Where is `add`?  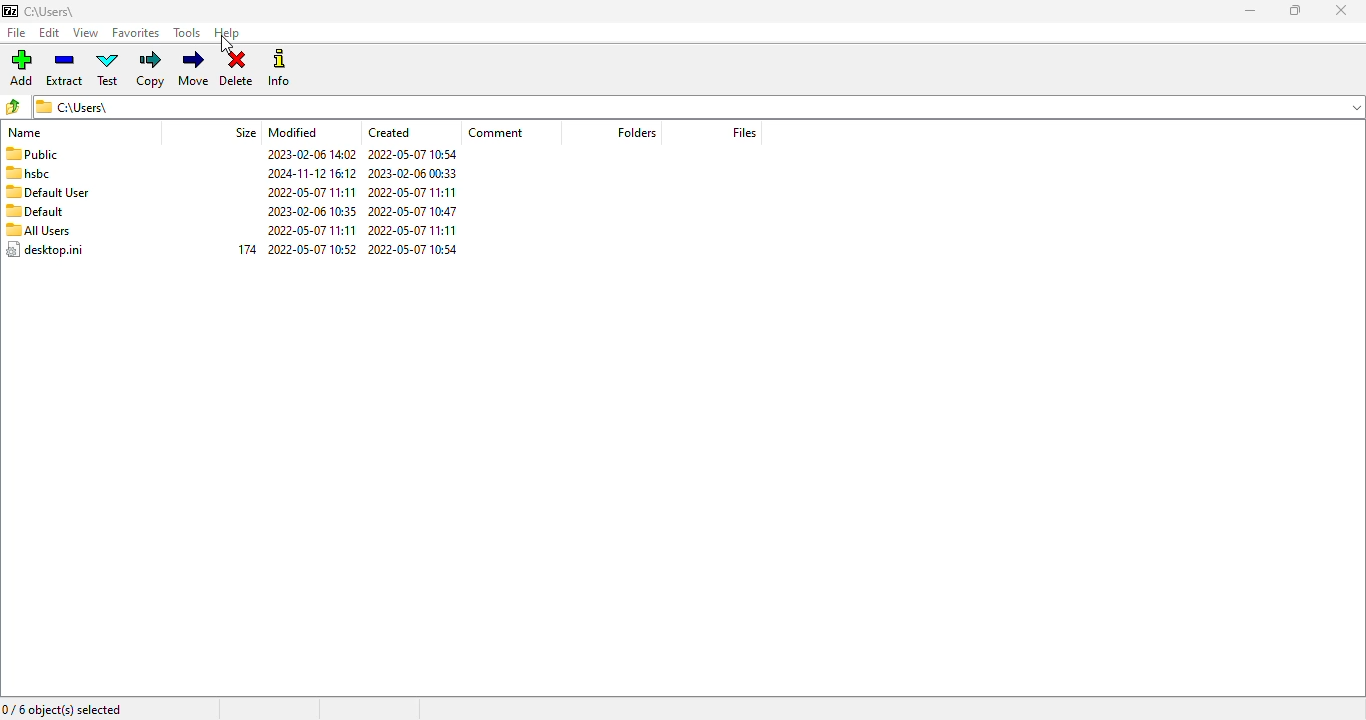 add is located at coordinates (21, 68).